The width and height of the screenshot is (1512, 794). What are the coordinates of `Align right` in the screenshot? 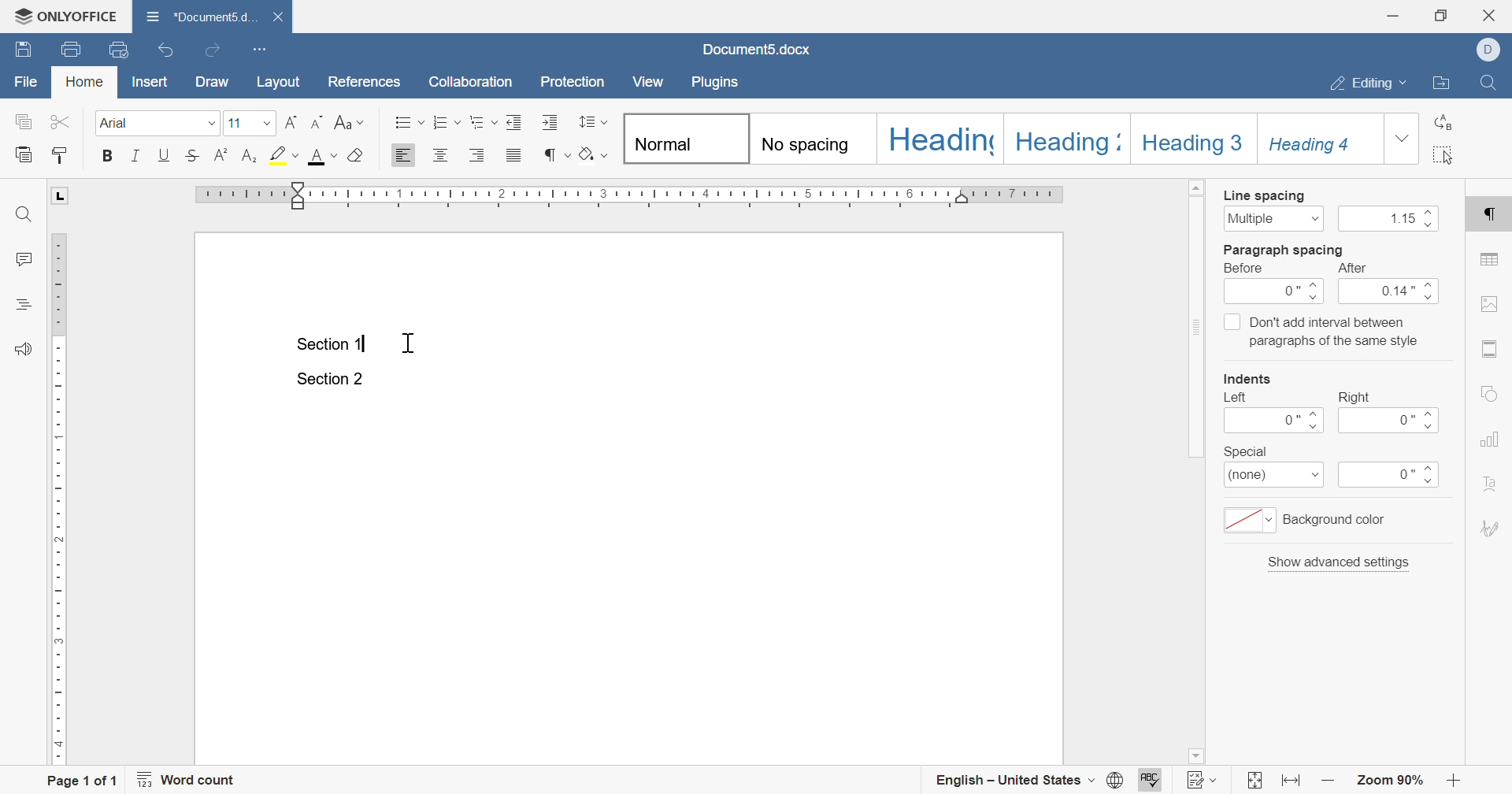 It's located at (480, 155).